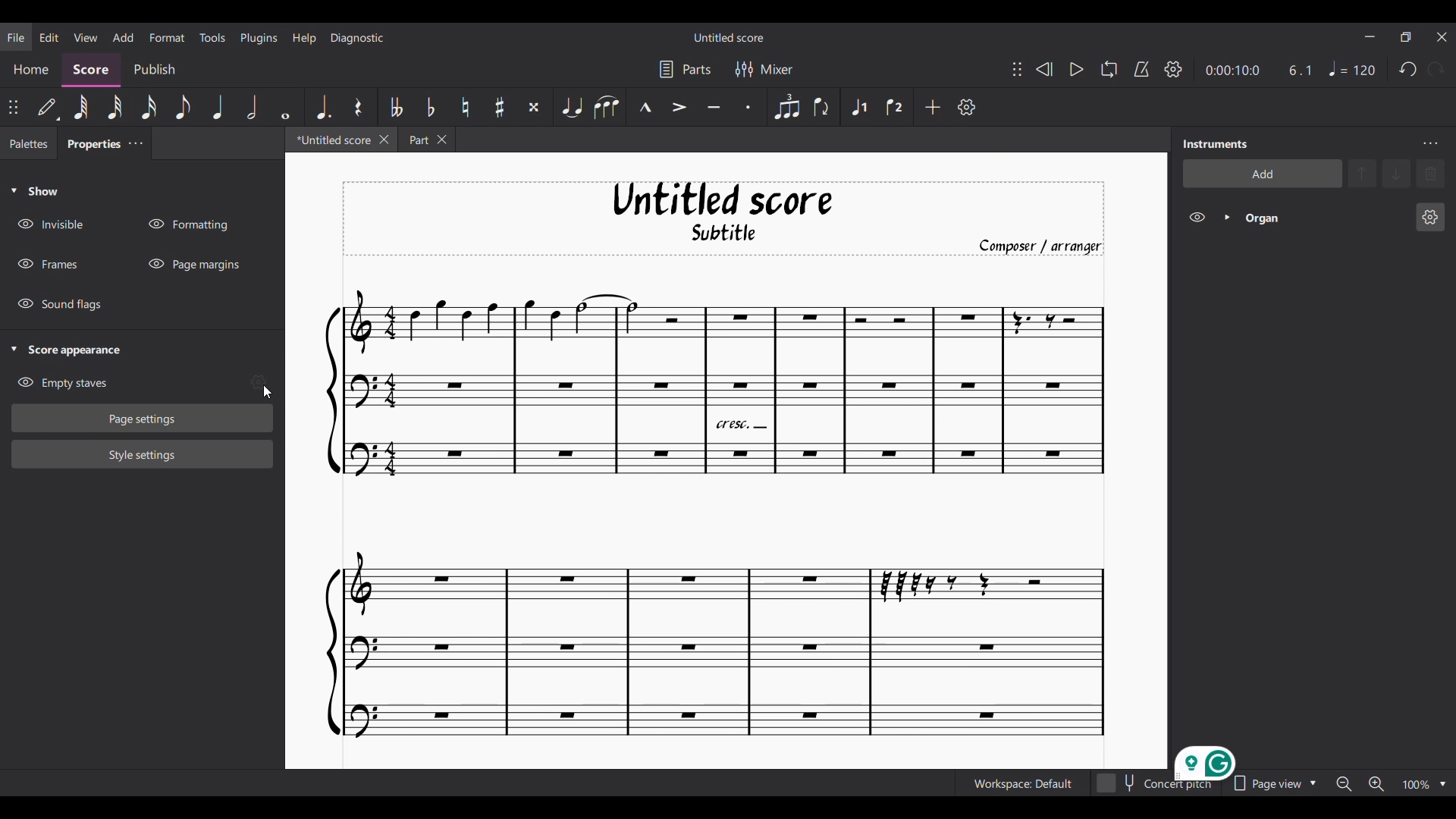  Describe the element at coordinates (261, 386) in the screenshot. I see `cursor` at that location.